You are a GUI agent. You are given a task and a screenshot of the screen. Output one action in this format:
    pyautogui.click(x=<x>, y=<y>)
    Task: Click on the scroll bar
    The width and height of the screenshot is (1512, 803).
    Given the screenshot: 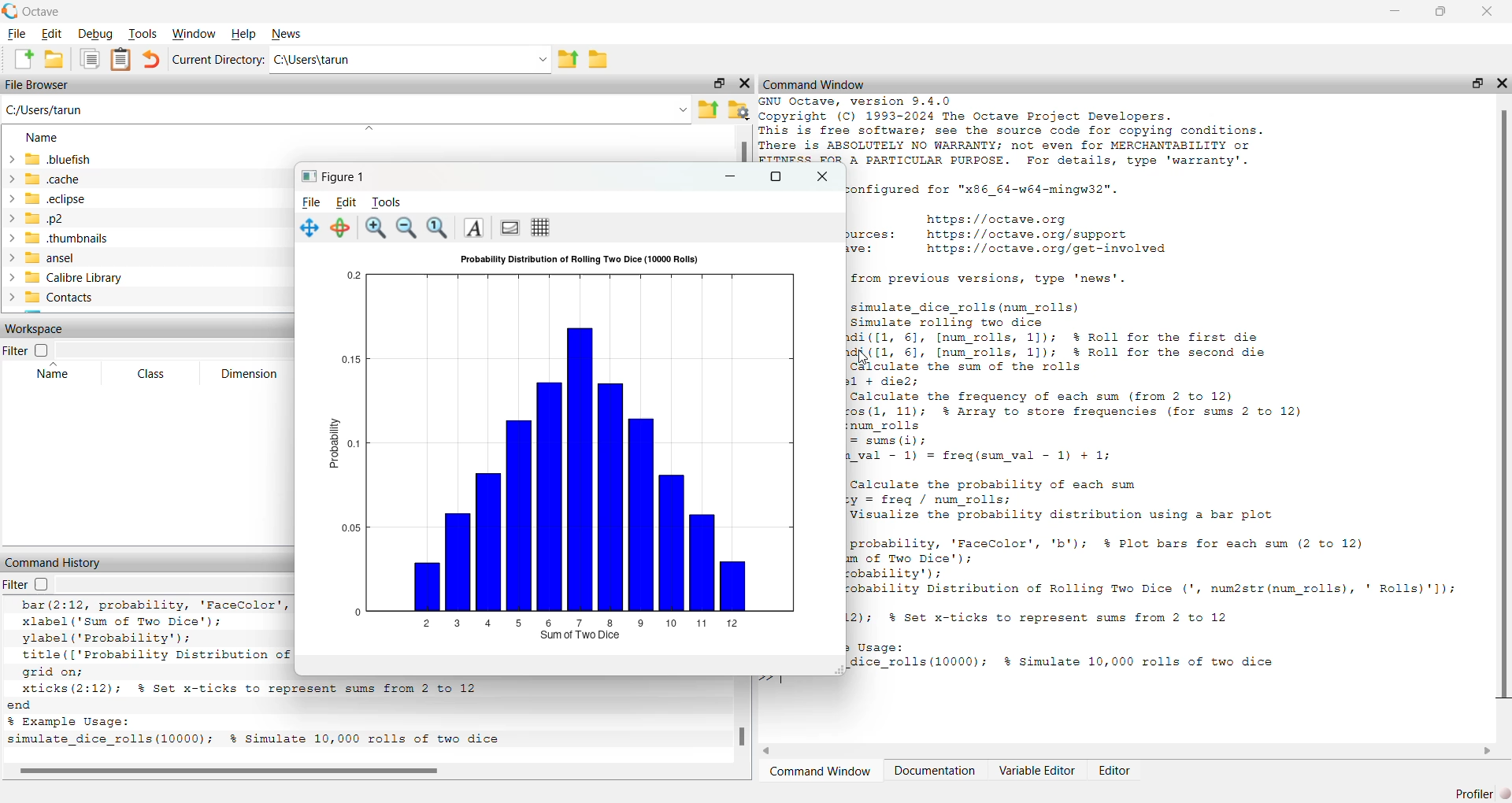 What is the action you would take?
    pyautogui.click(x=370, y=769)
    